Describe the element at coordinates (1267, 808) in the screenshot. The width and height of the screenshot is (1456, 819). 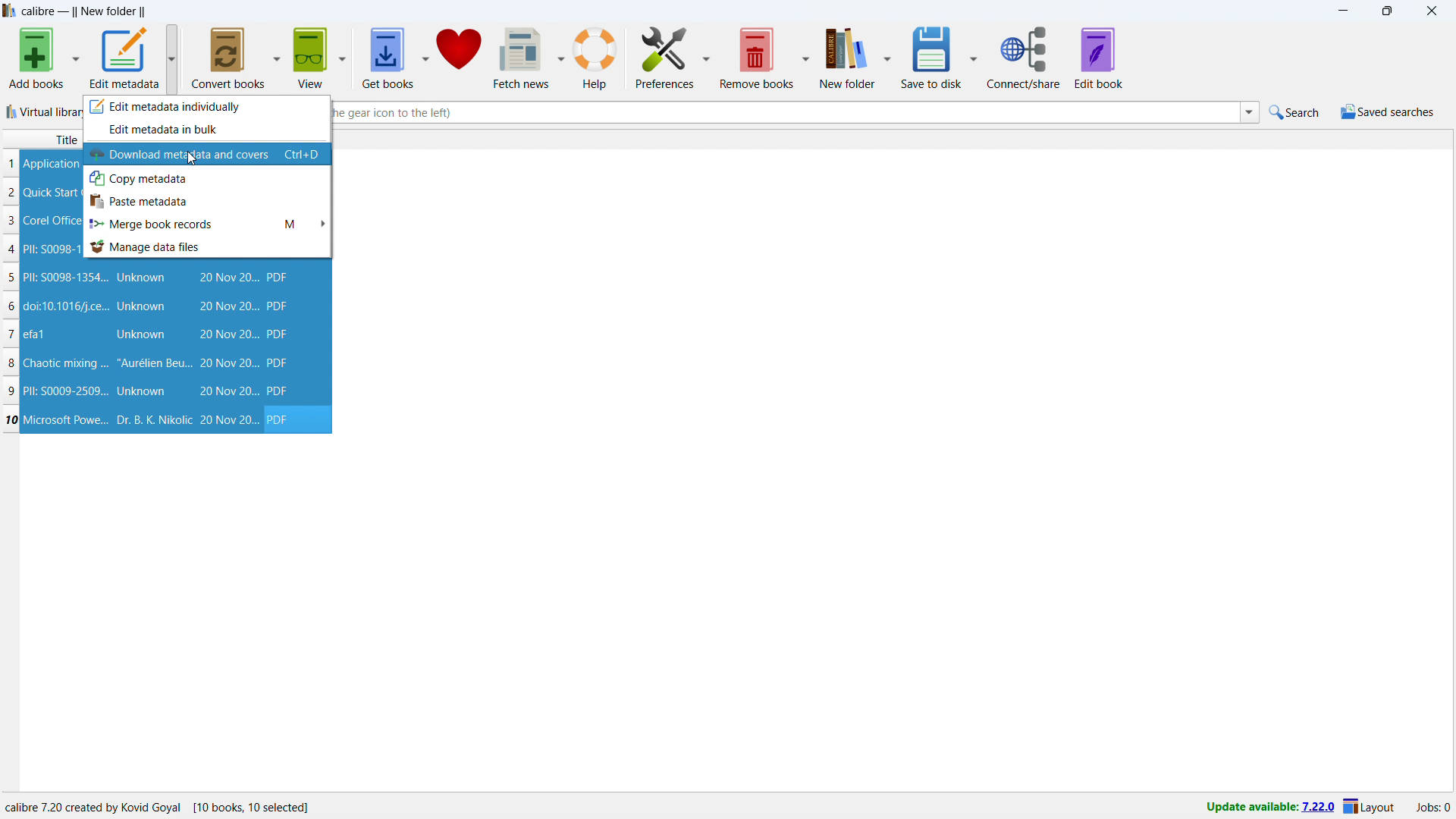
I see `update` at that location.